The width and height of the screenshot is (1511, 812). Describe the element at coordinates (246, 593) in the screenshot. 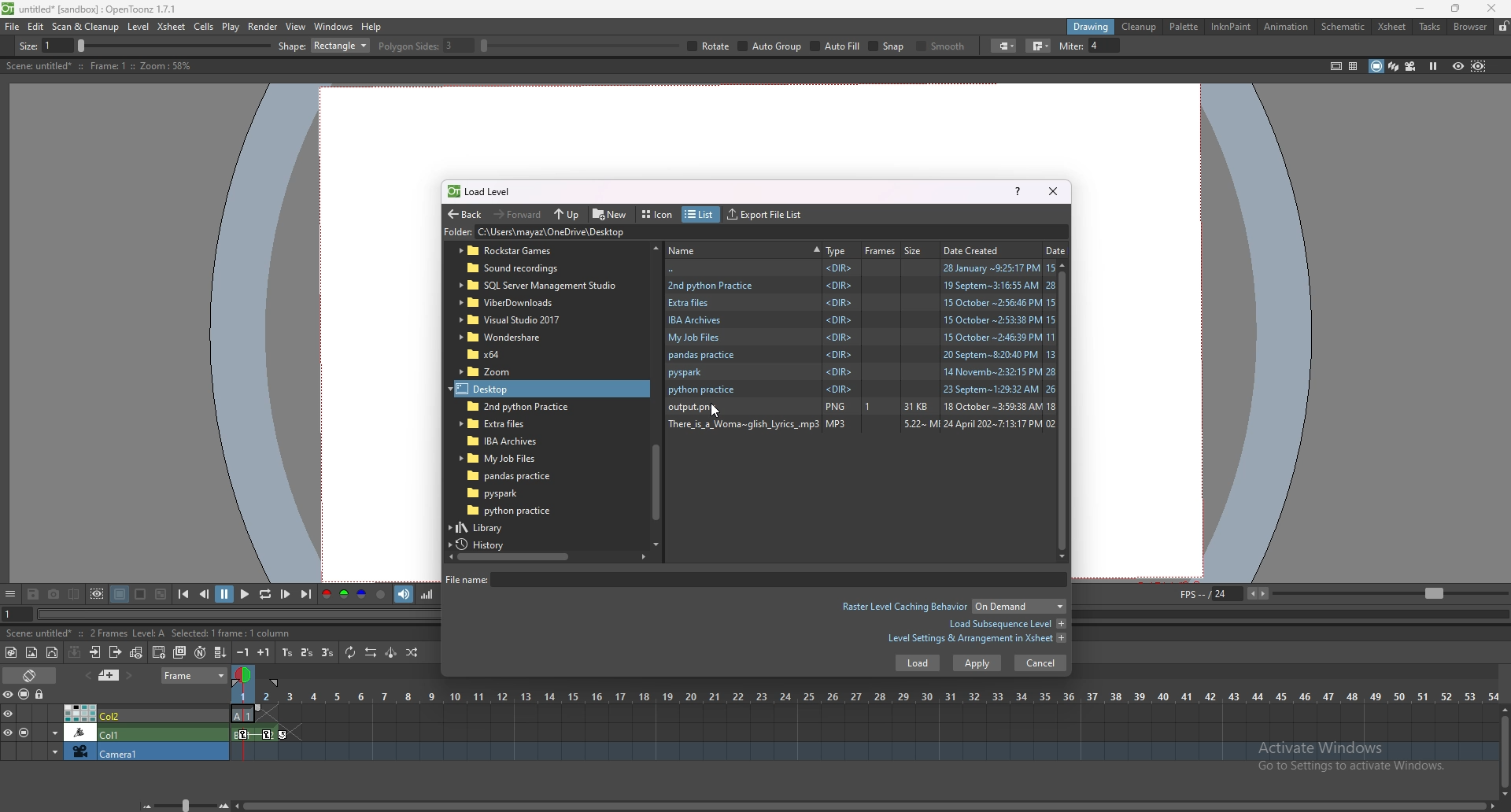

I see `play` at that location.